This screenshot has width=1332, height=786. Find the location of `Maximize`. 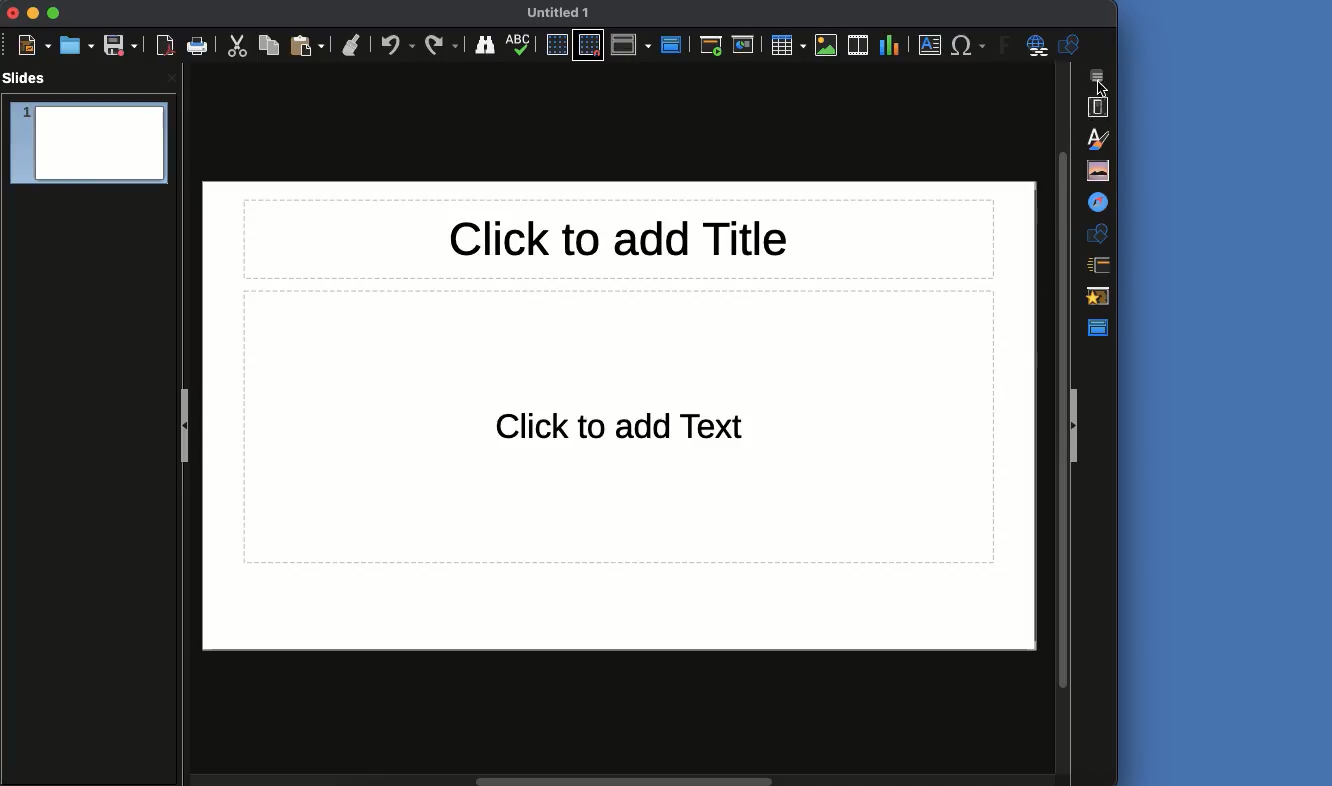

Maximize is located at coordinates (55, 14).